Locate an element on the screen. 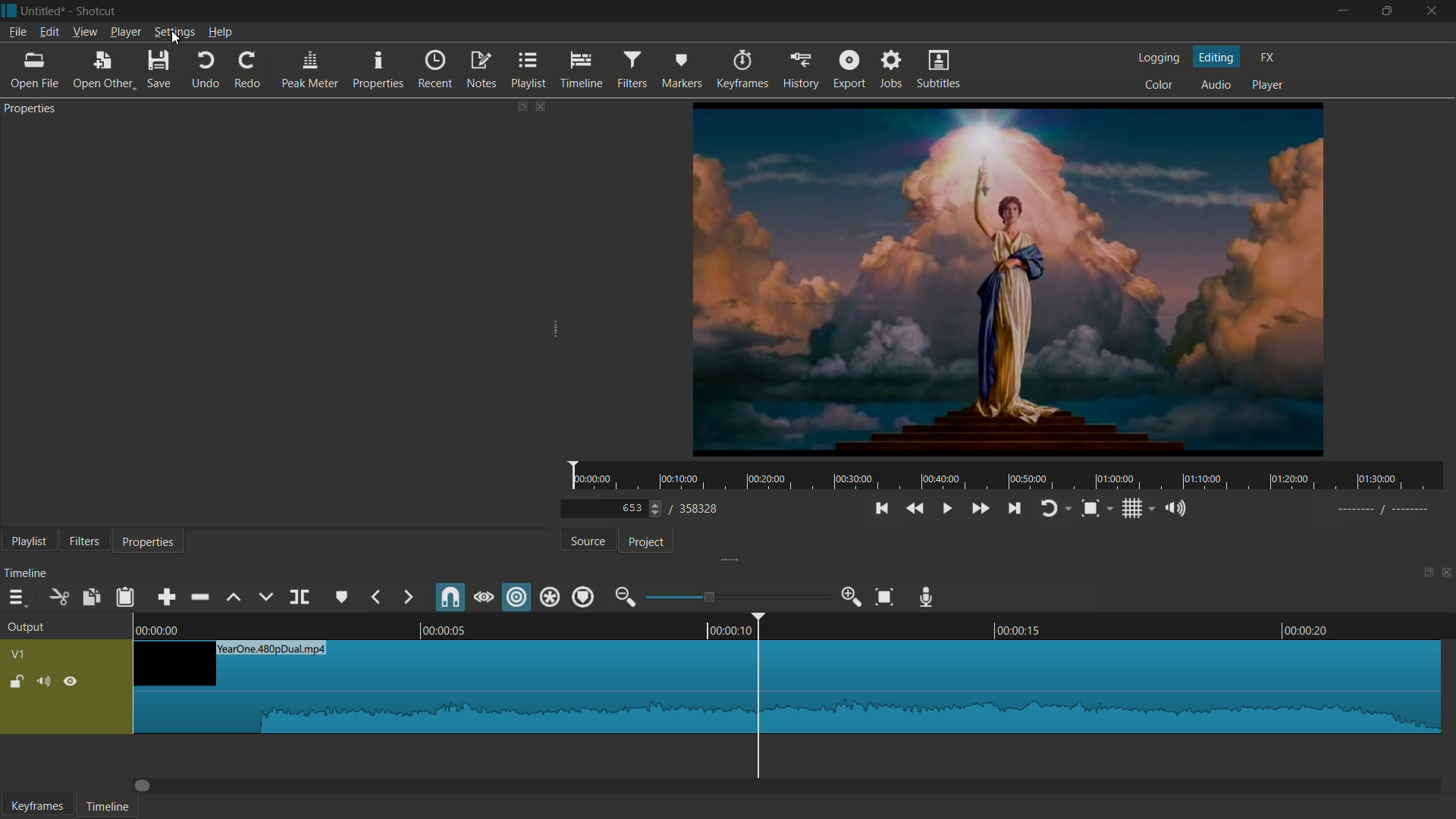 Image resolution: width=1456 pixels, height=819 pixels. toggle grid is located at coordinates (1134, 508).